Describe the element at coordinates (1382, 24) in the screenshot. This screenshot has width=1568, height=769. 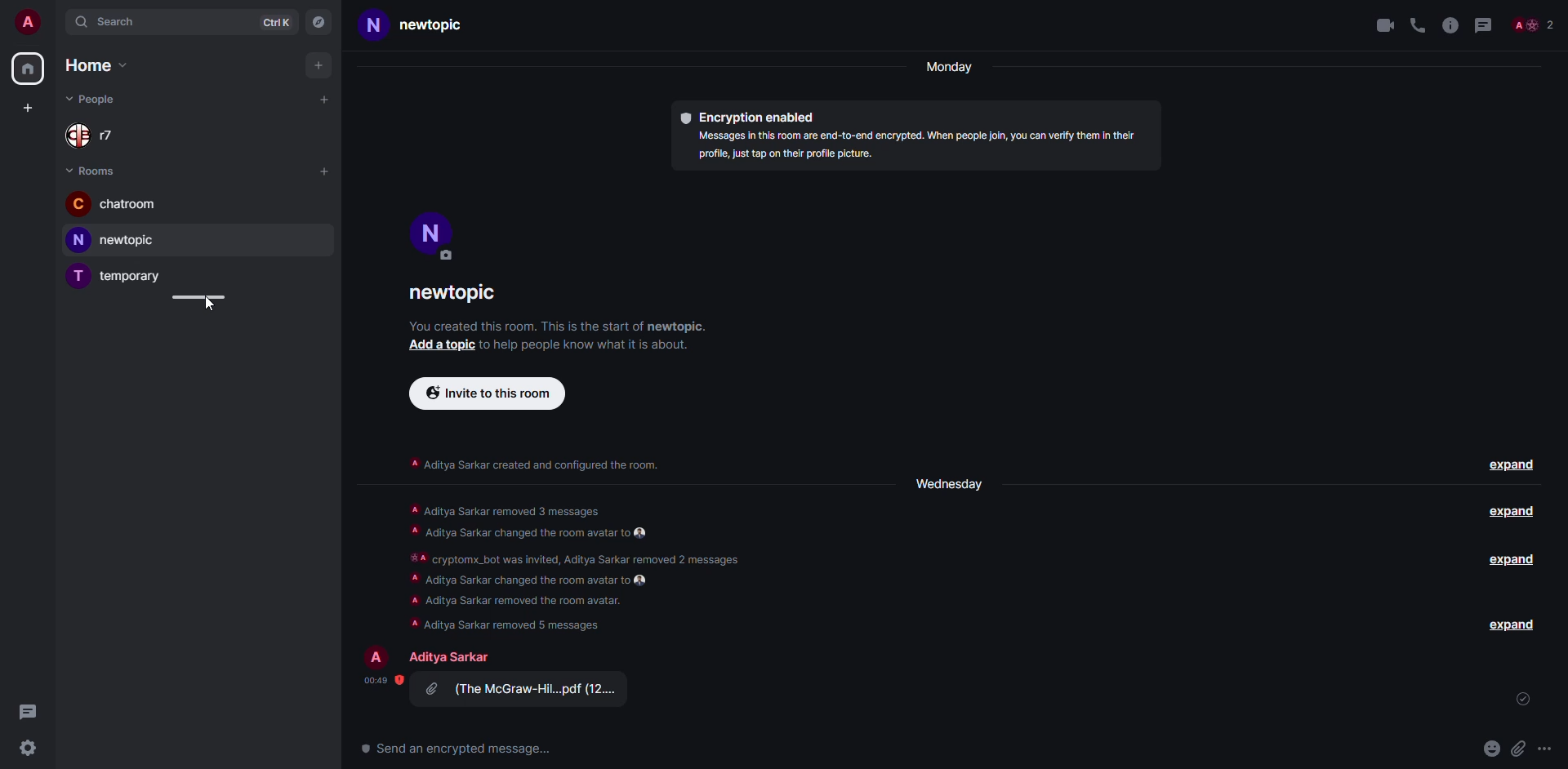
I see `video` at that location.